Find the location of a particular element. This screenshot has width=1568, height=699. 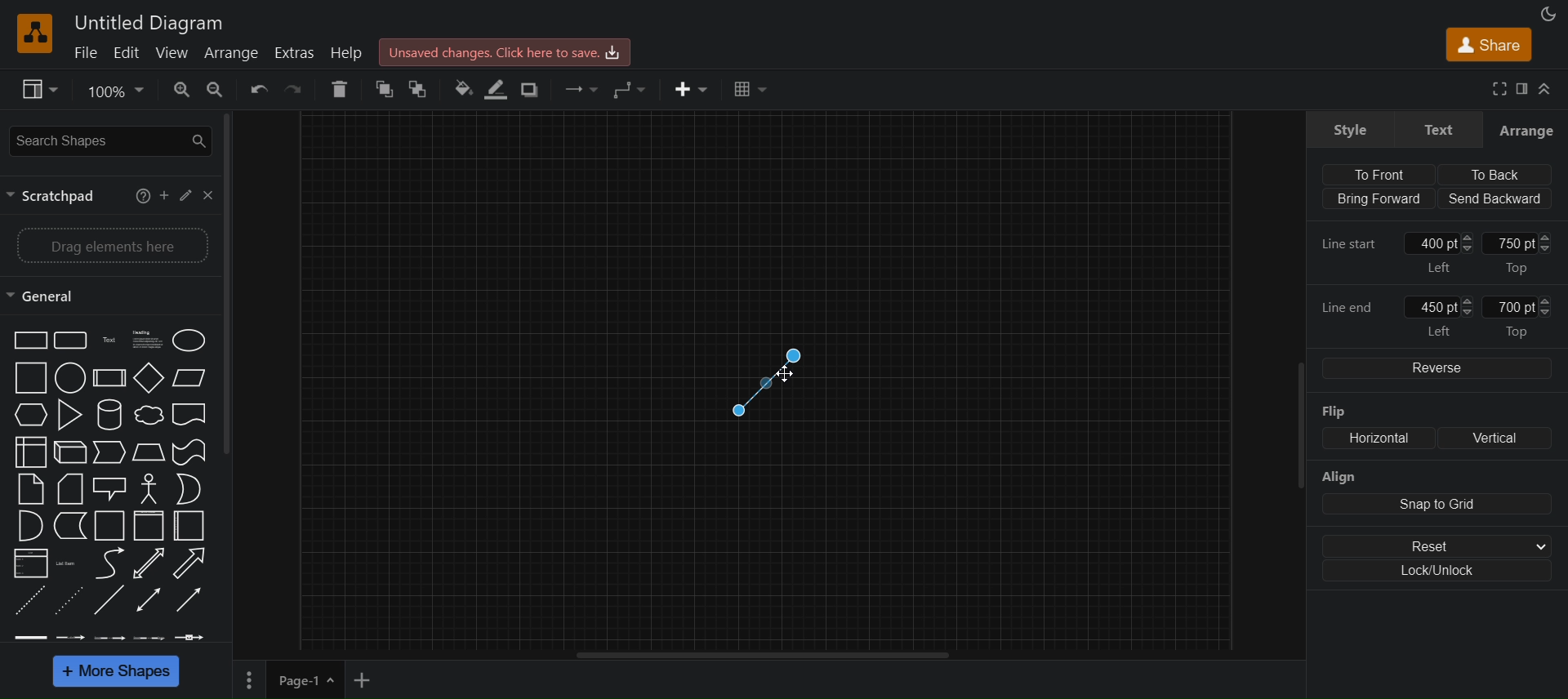

file is located at coordinates (86, 52).